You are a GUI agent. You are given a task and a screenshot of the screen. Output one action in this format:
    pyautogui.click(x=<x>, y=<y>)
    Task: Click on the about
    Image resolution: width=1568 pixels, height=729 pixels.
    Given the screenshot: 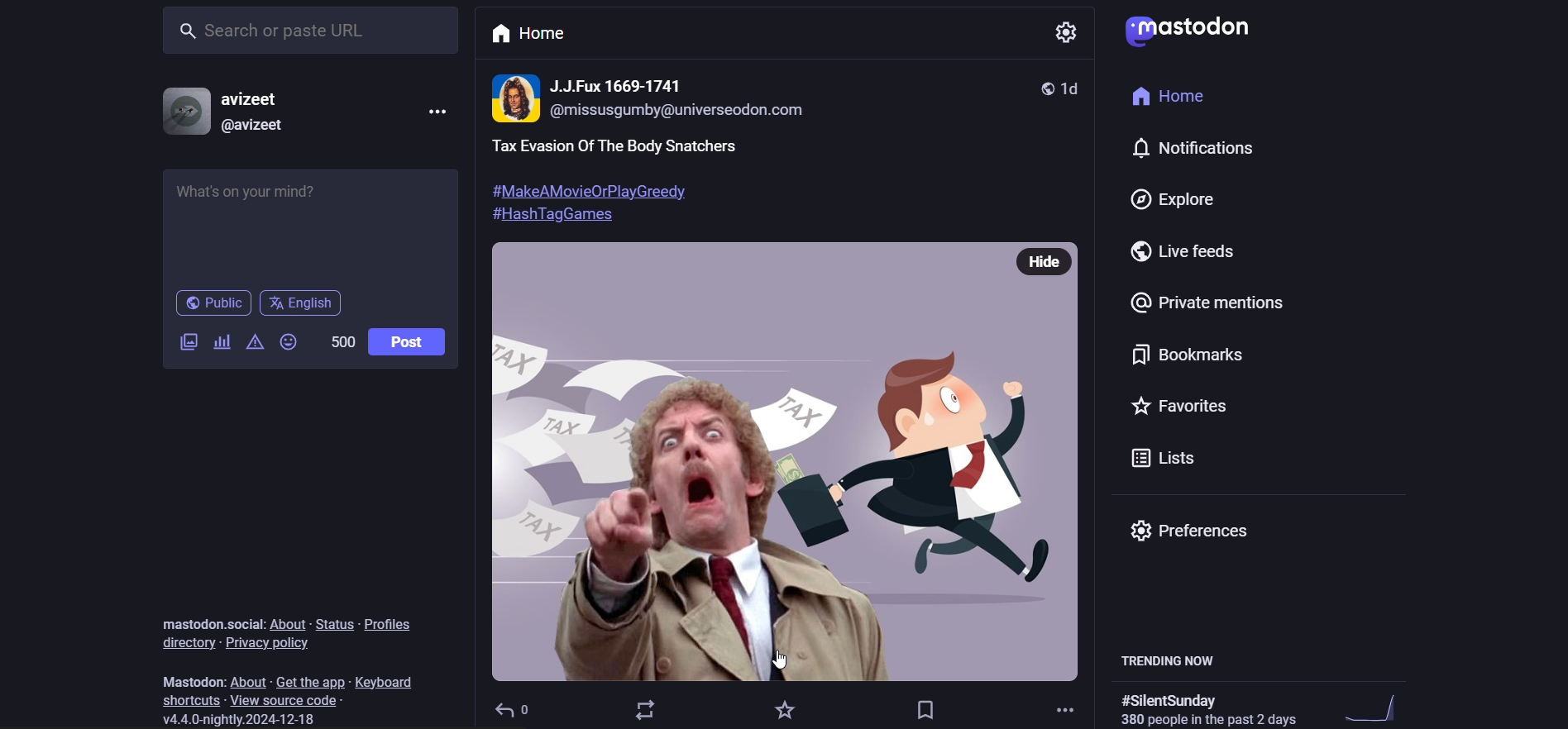 What is the action you would take?
    pyautogui.click(x=288, y=622)
    